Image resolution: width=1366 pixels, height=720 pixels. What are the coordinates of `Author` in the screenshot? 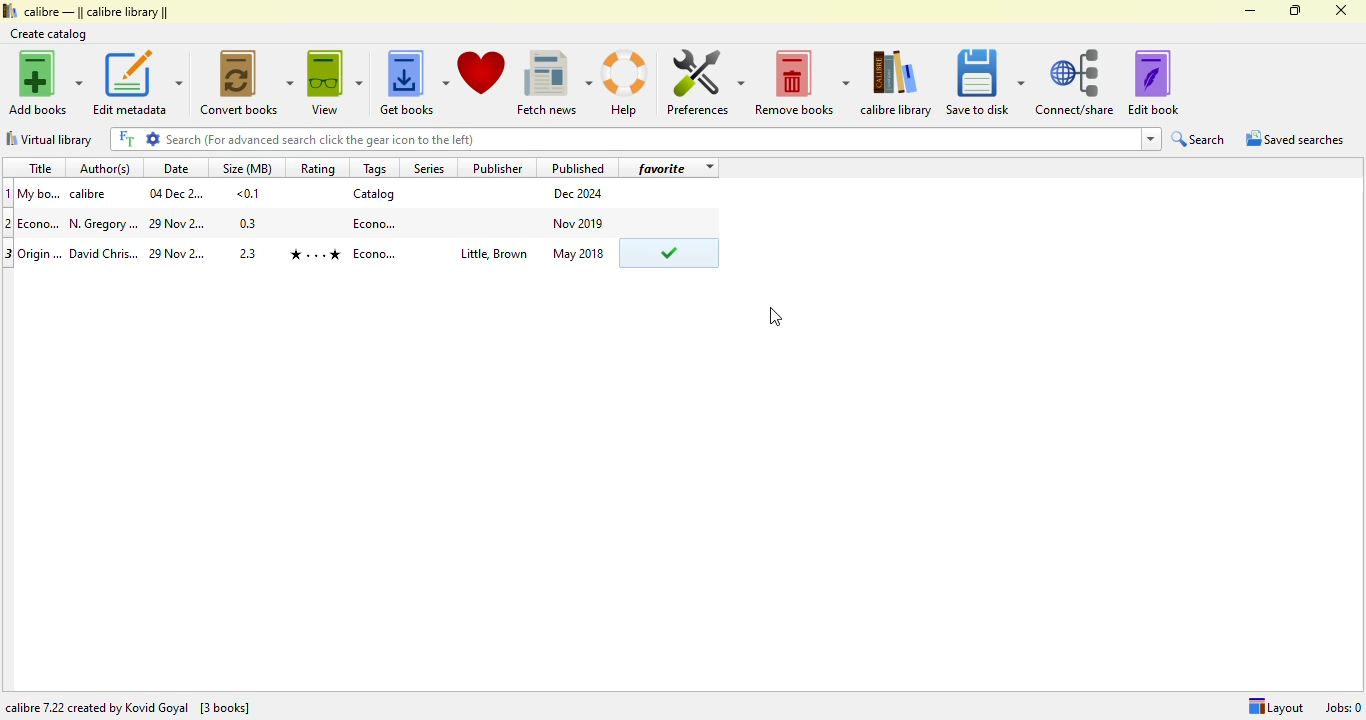 It's located at (104, 254).